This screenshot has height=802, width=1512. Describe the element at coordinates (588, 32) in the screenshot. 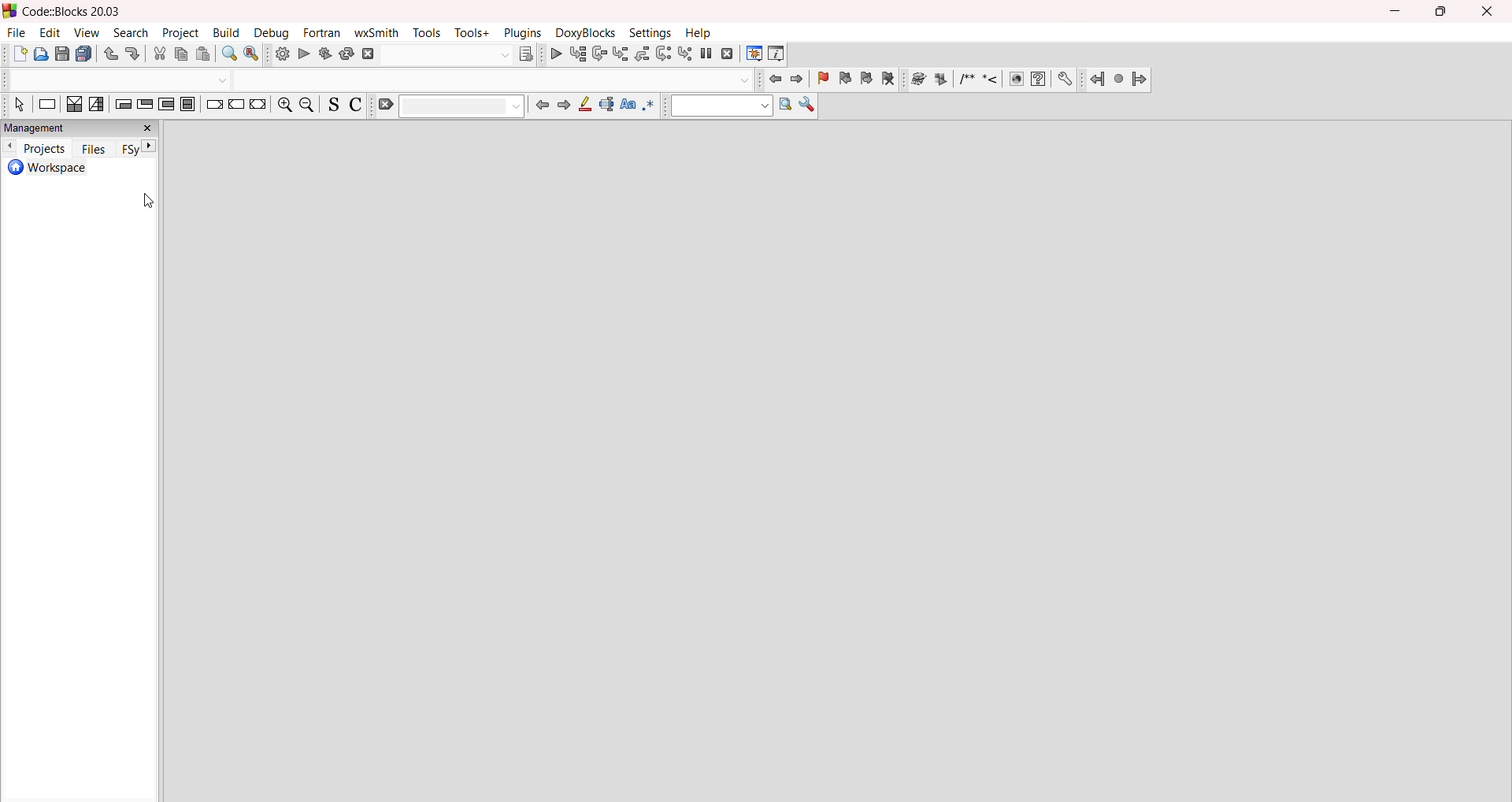

I see `doxyBlocks` at that location.